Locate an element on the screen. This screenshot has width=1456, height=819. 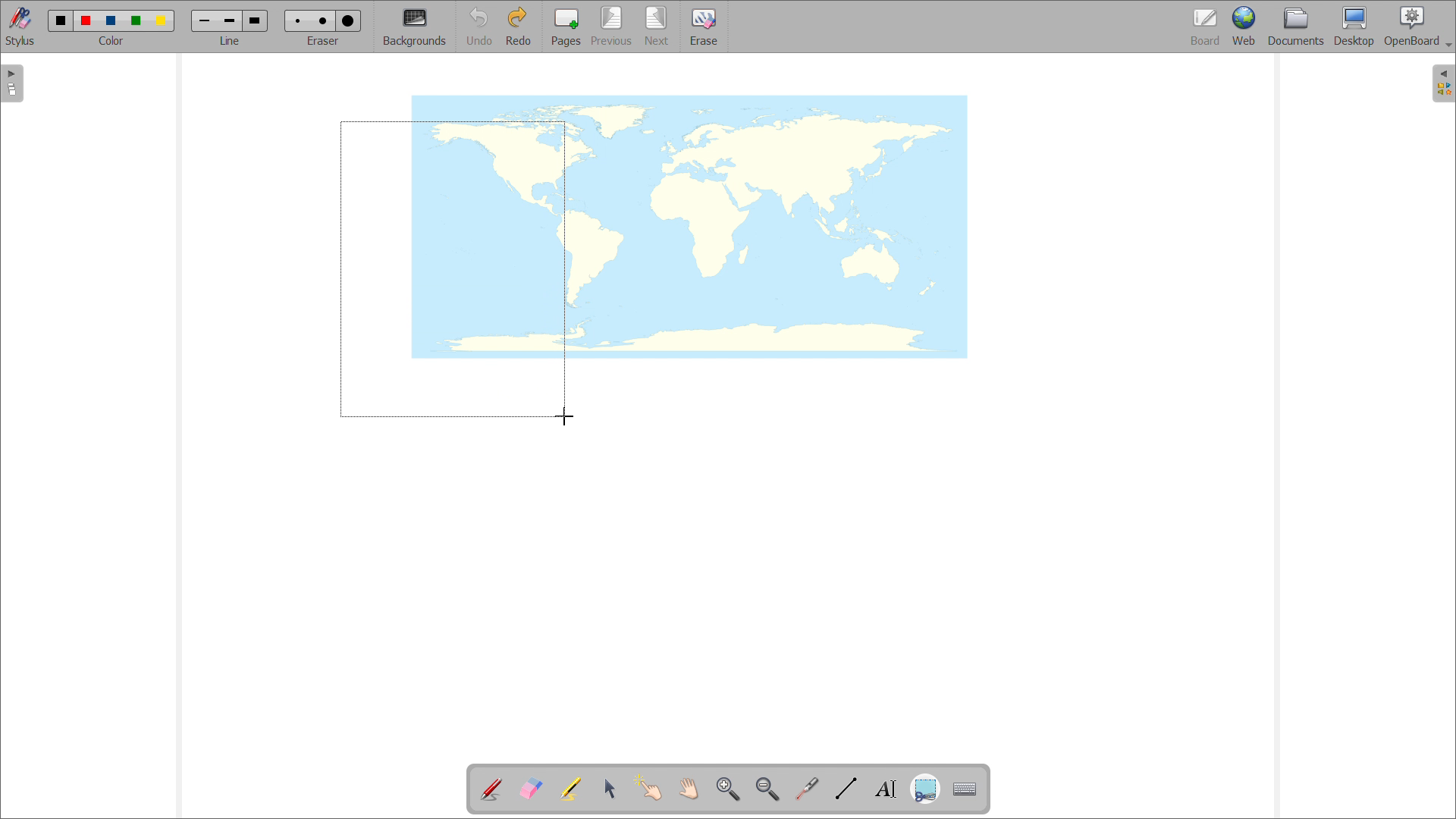
erase annotations is located at coordinates (530, 788).